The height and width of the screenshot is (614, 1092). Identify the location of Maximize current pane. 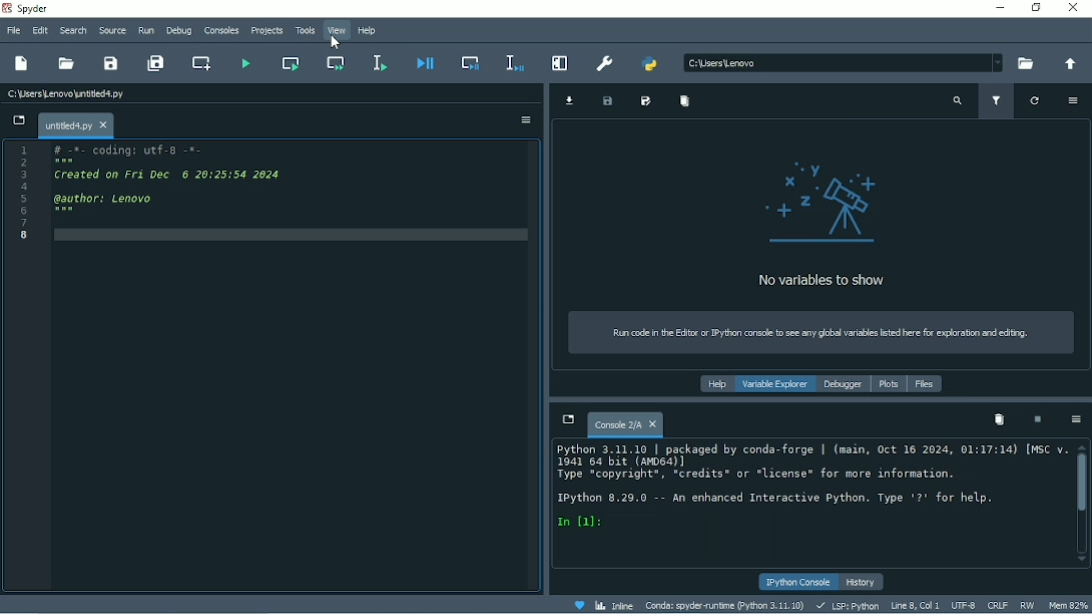
(561, 63).